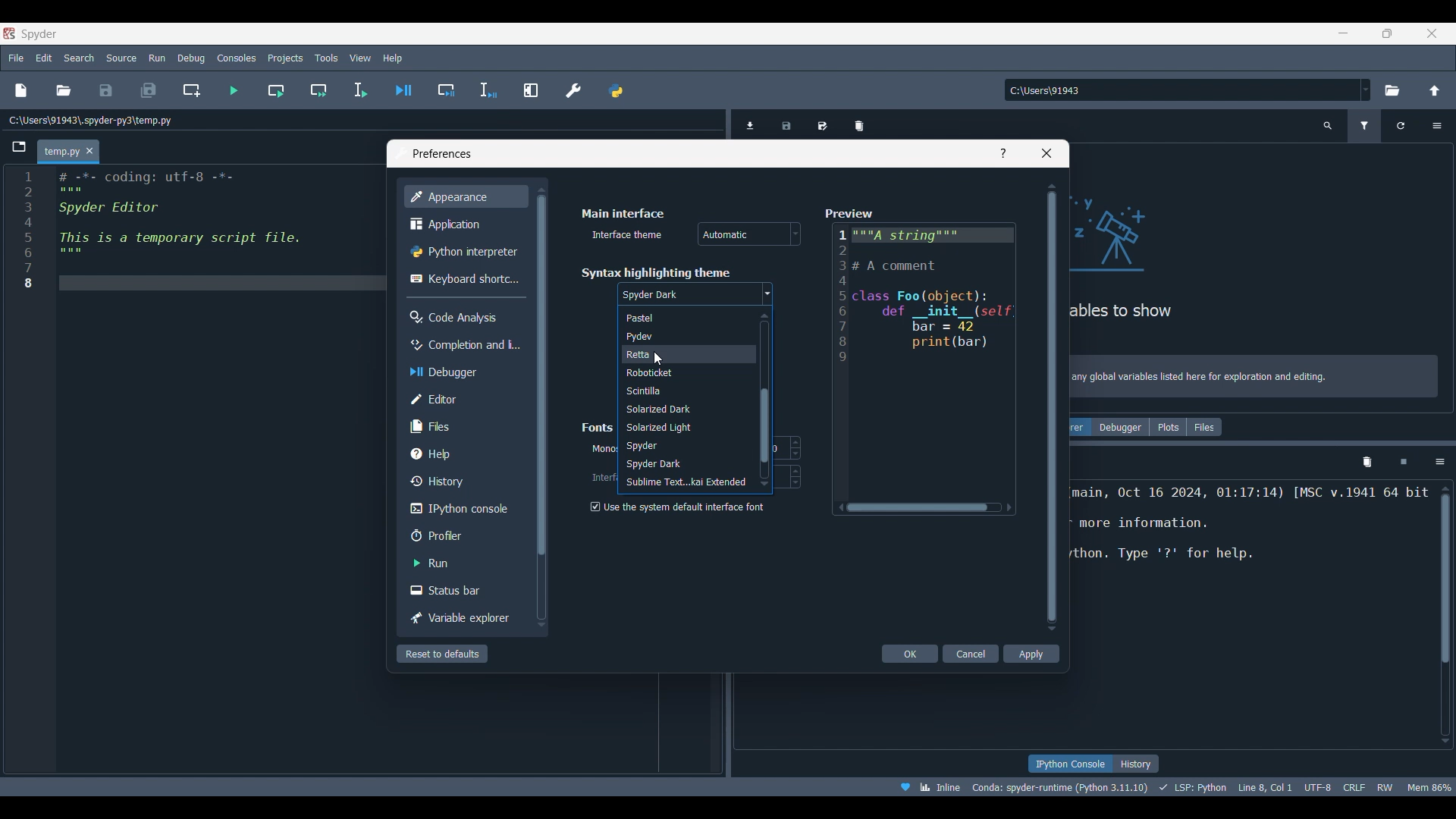 This screenshot has width=1456, height=819. Describe the element at coordinates (89, 152) in the screenshot. I see `Close tab` at that location.